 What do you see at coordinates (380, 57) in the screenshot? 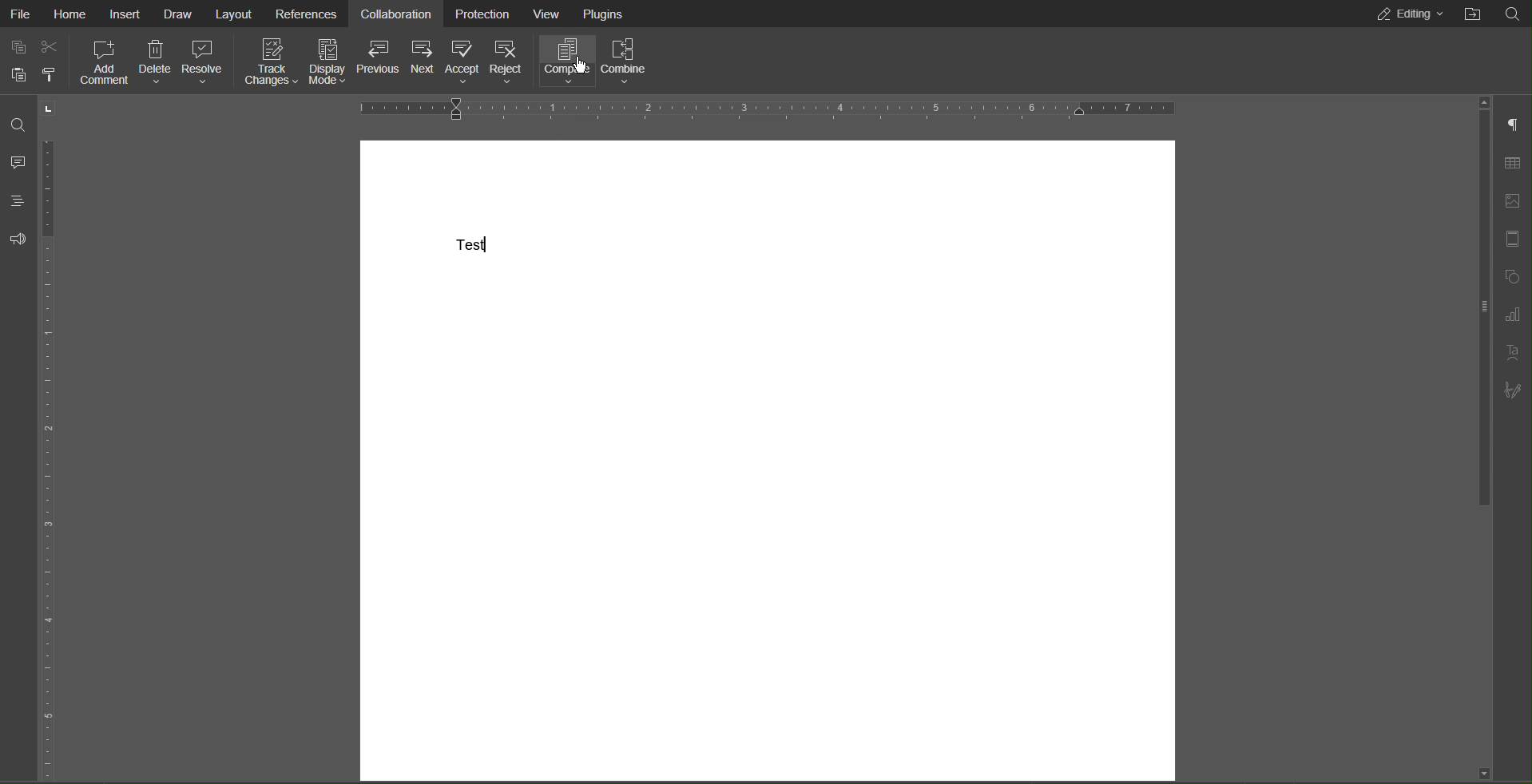
I see `Previous` at bounding box center [380, 57].